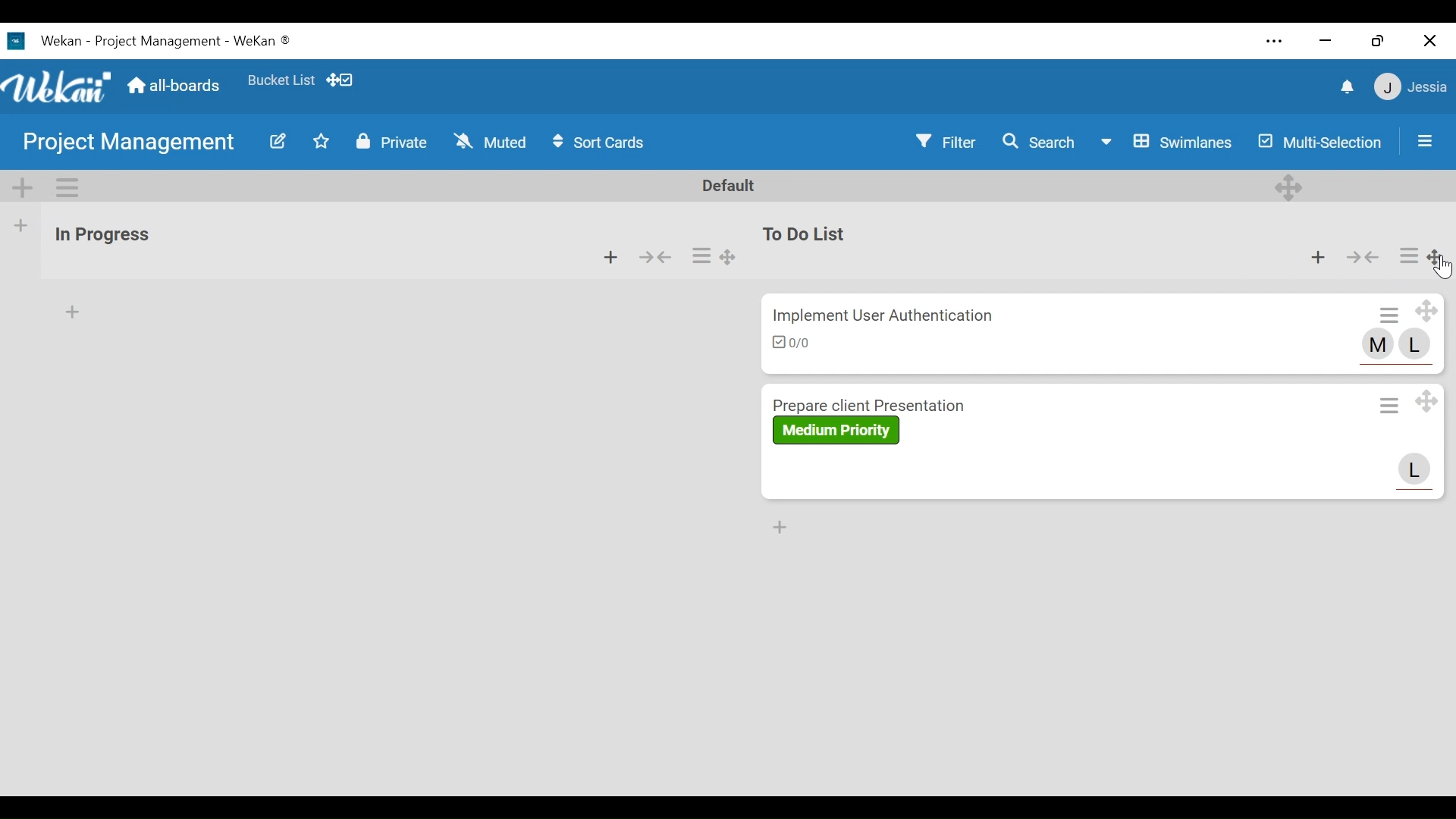  I want to click on Edit, so click(279, 140).